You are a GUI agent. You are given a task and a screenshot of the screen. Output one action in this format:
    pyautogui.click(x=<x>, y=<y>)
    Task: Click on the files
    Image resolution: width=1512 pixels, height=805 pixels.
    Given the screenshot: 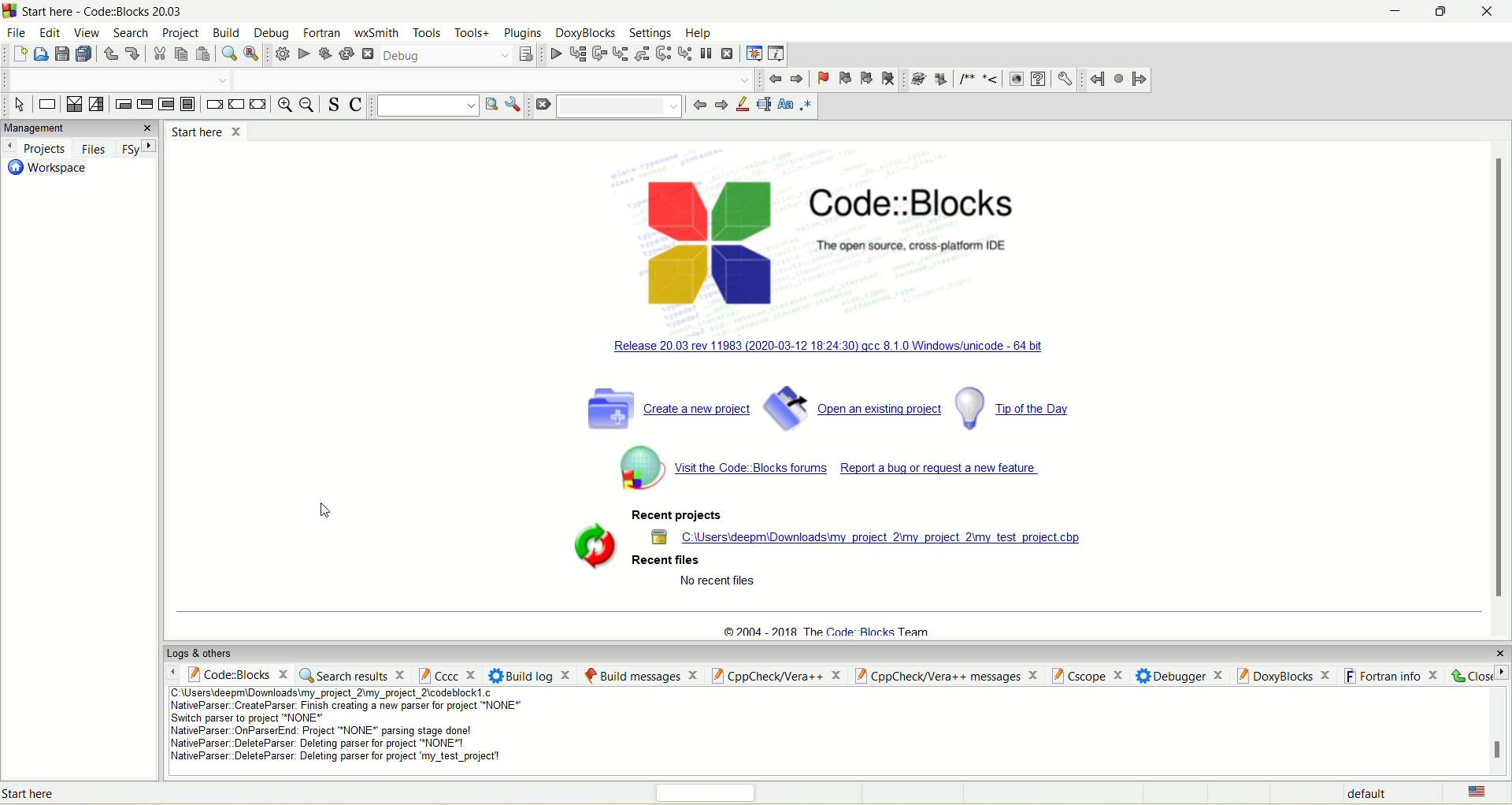 What is the action you would take?
    pyautogui.click(x=96, y=148)
    